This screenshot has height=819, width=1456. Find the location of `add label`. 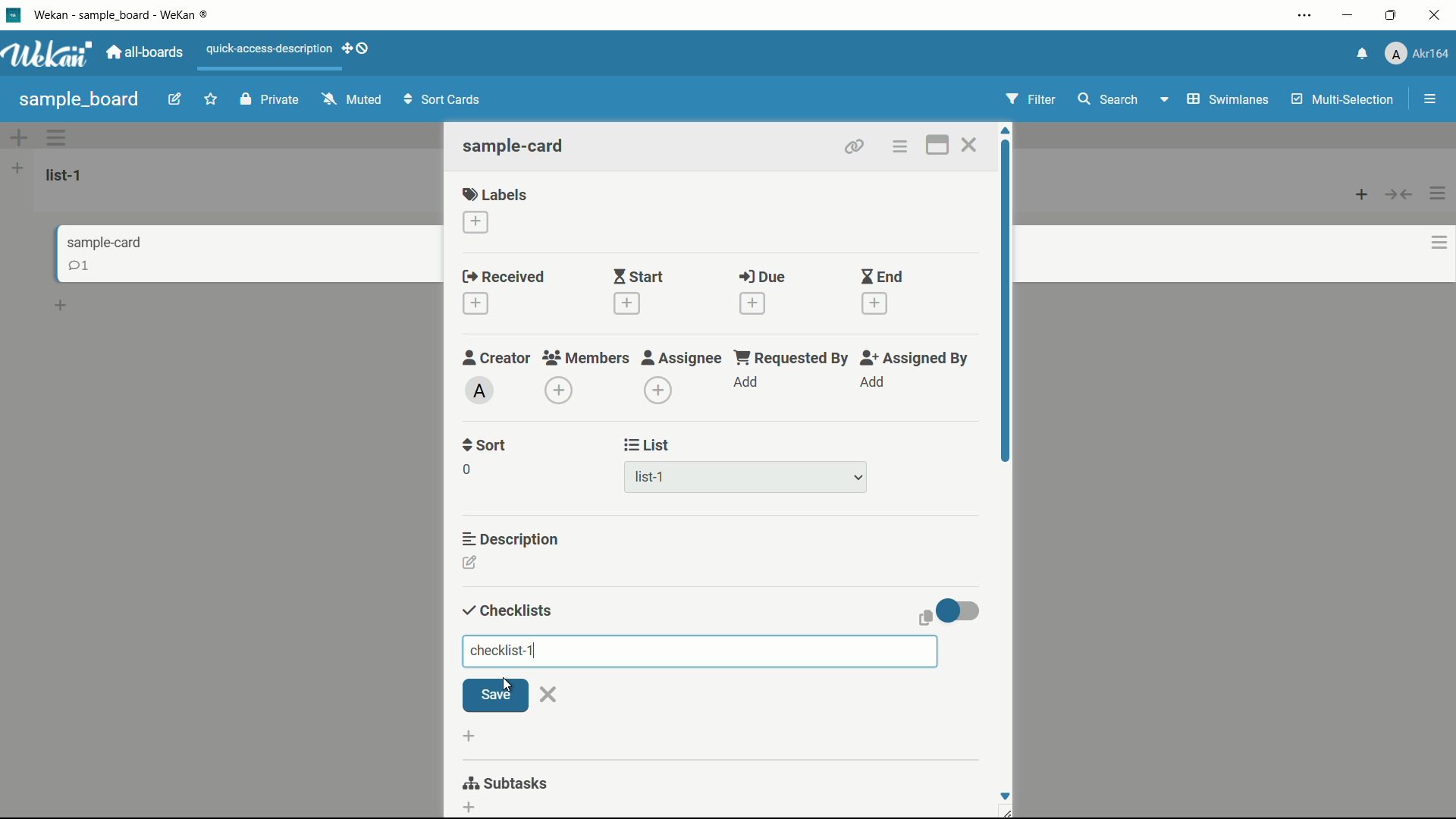

add label is located at coordinates (472, 221).